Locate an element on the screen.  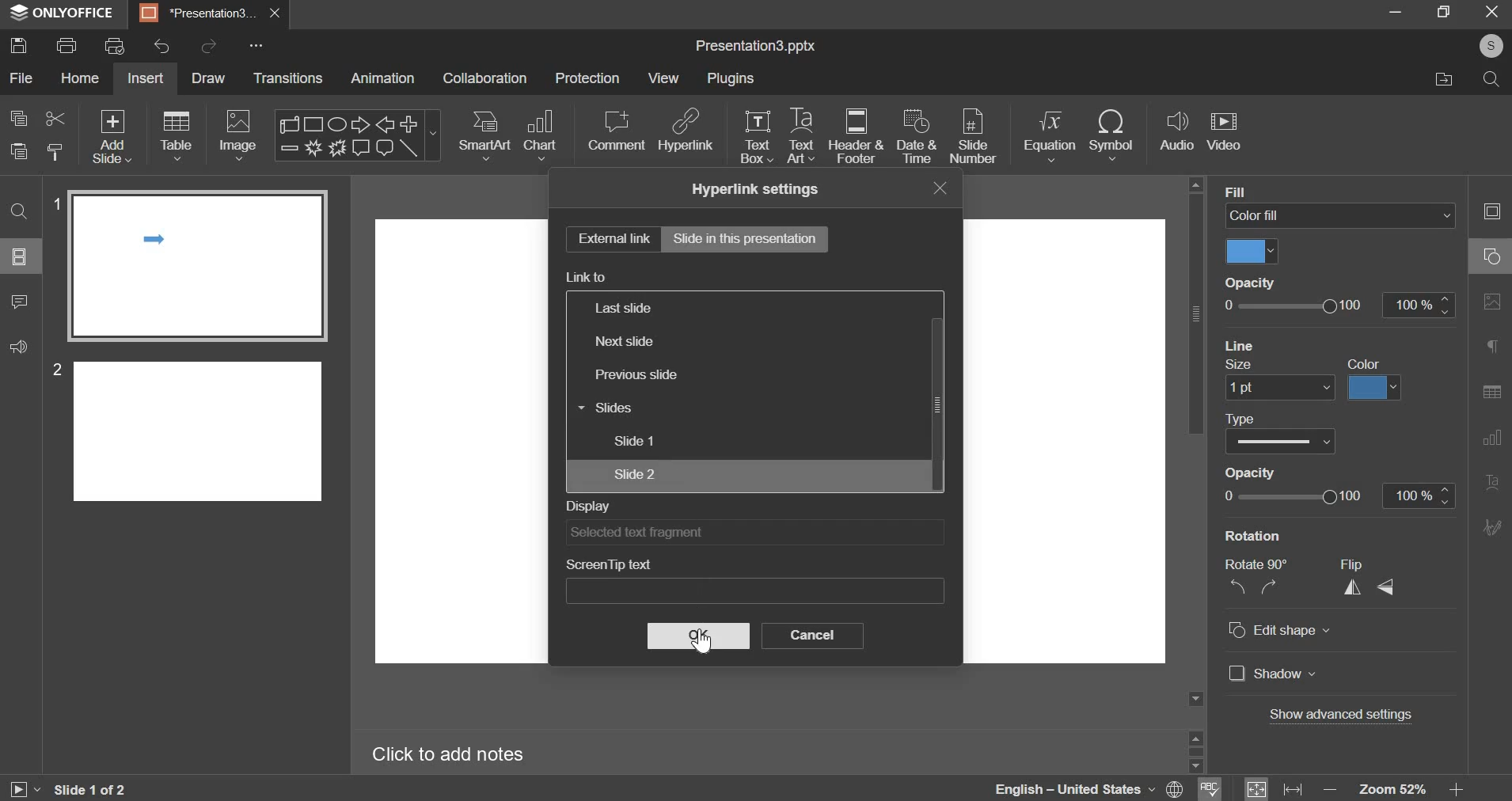
find is located at coordinates (19, 212).